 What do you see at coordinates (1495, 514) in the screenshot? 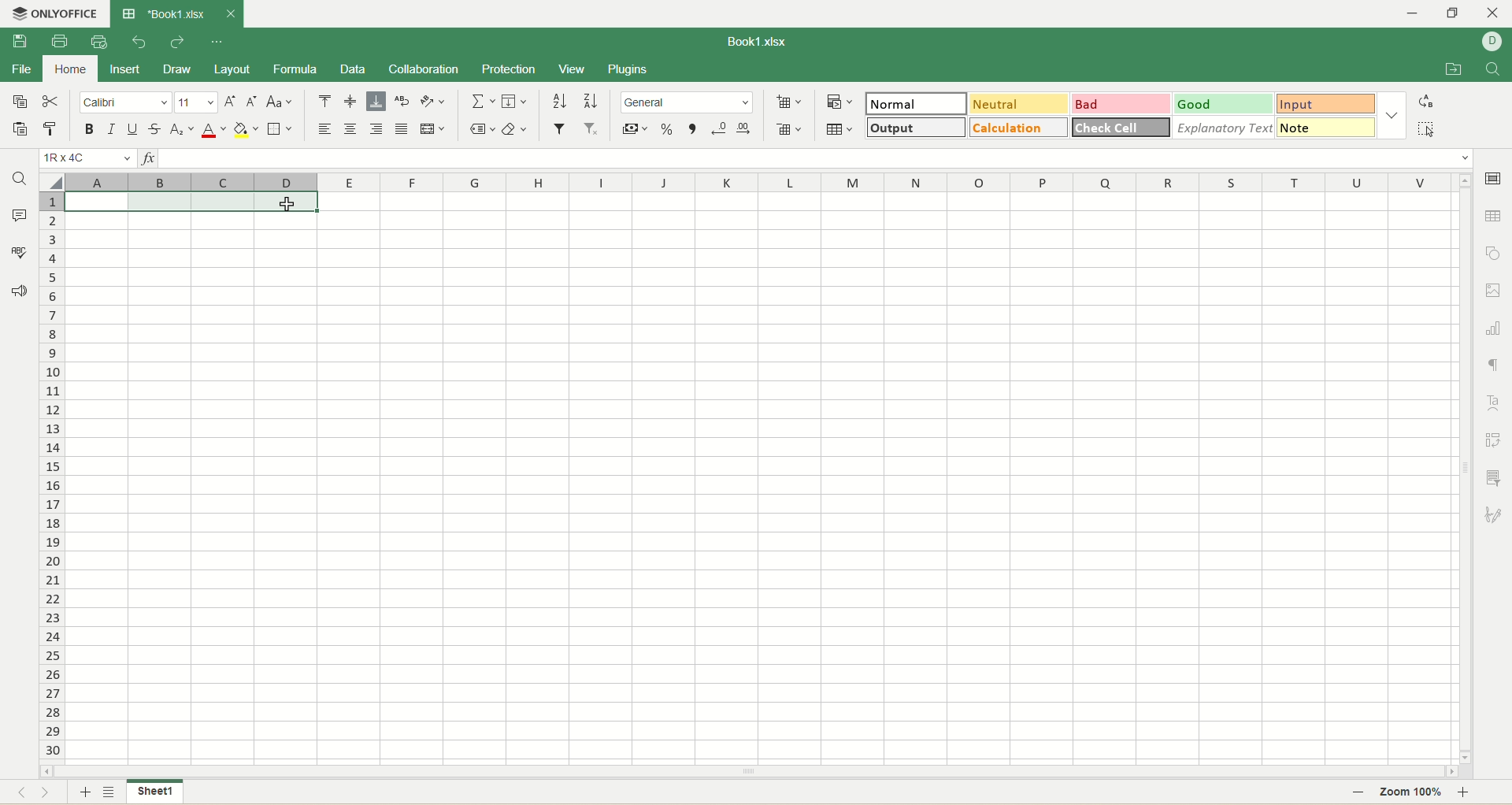
I see `signature settings` at bounding box center [1495, 514].